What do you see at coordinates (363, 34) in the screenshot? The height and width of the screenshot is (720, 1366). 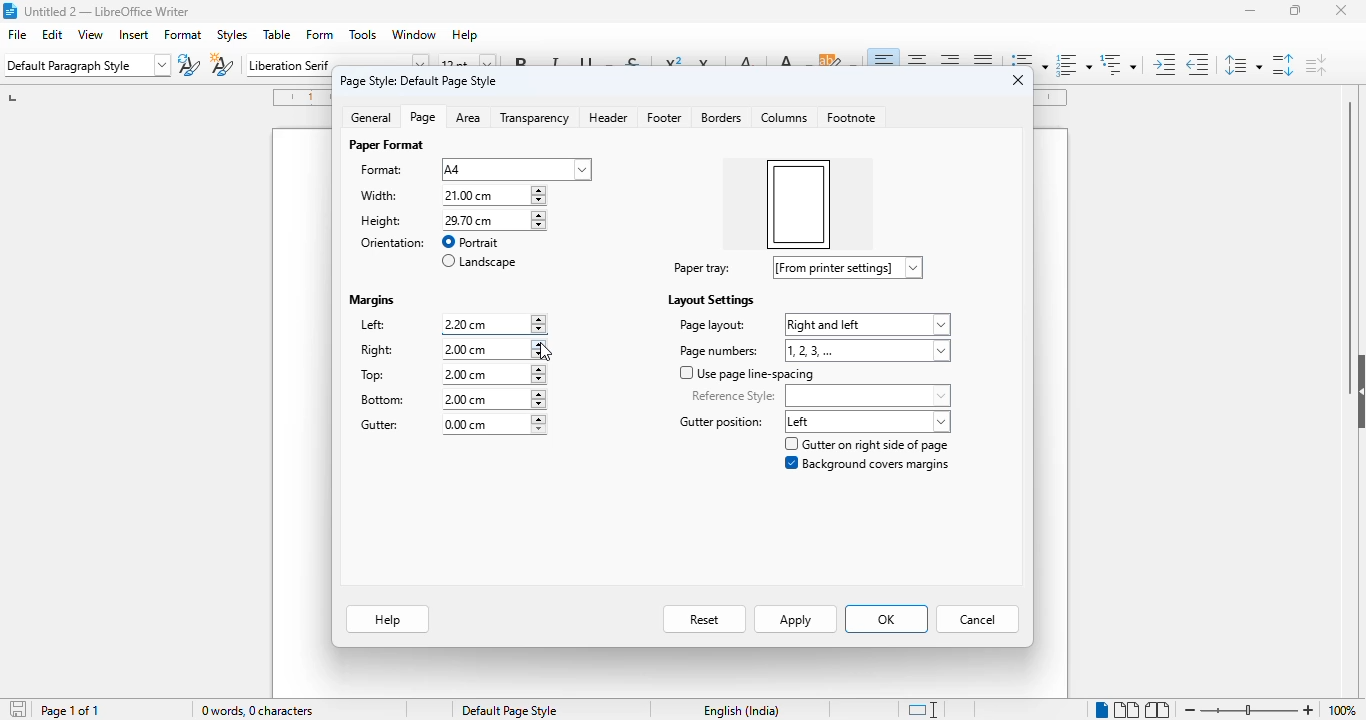 I see `tools` at bounding box center [363, 34].